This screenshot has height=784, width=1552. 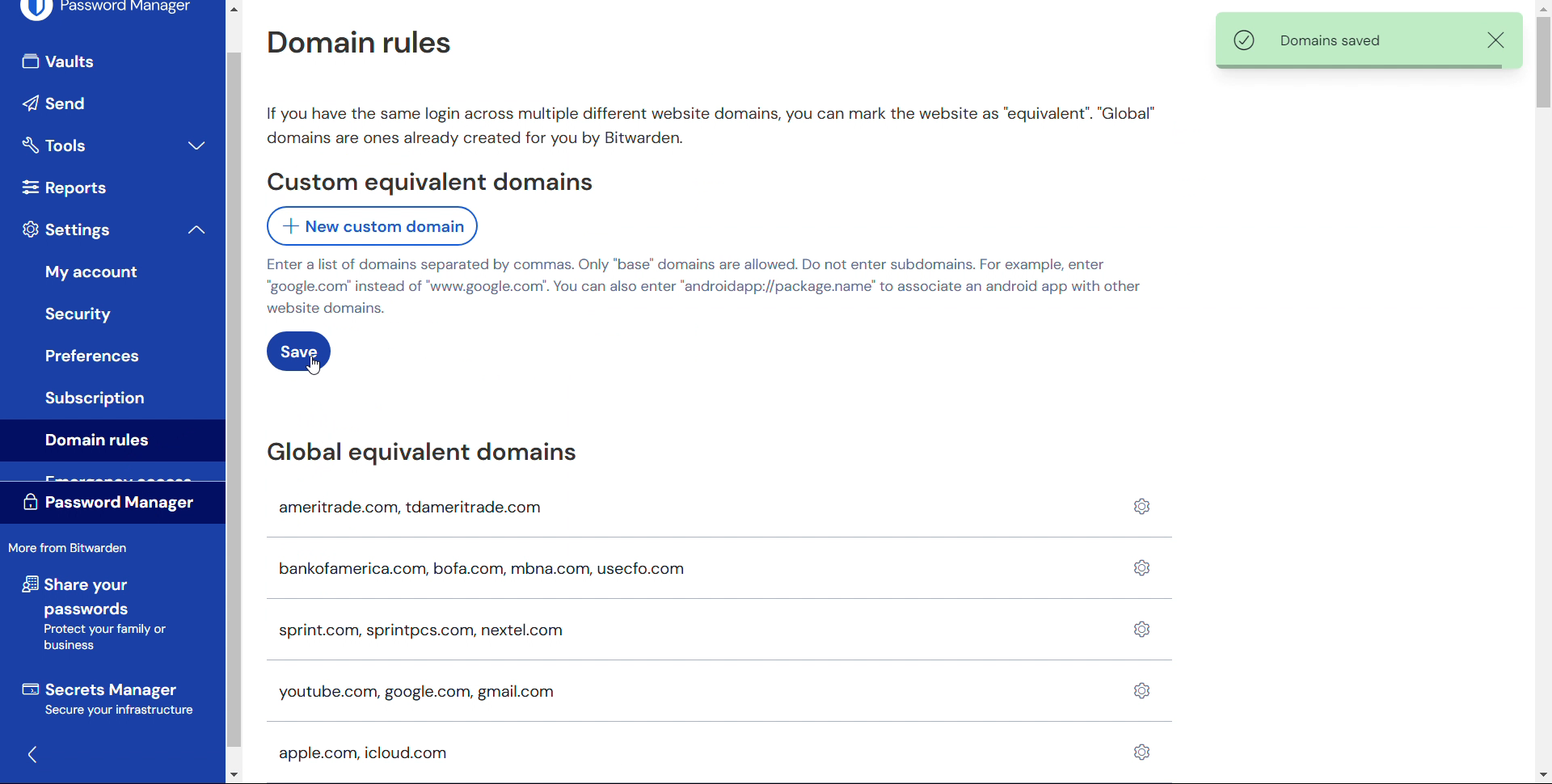 What do you see at coordinates (230, 775) in the screenshot?
I see `scroll down` at bounding box center [230, 775].